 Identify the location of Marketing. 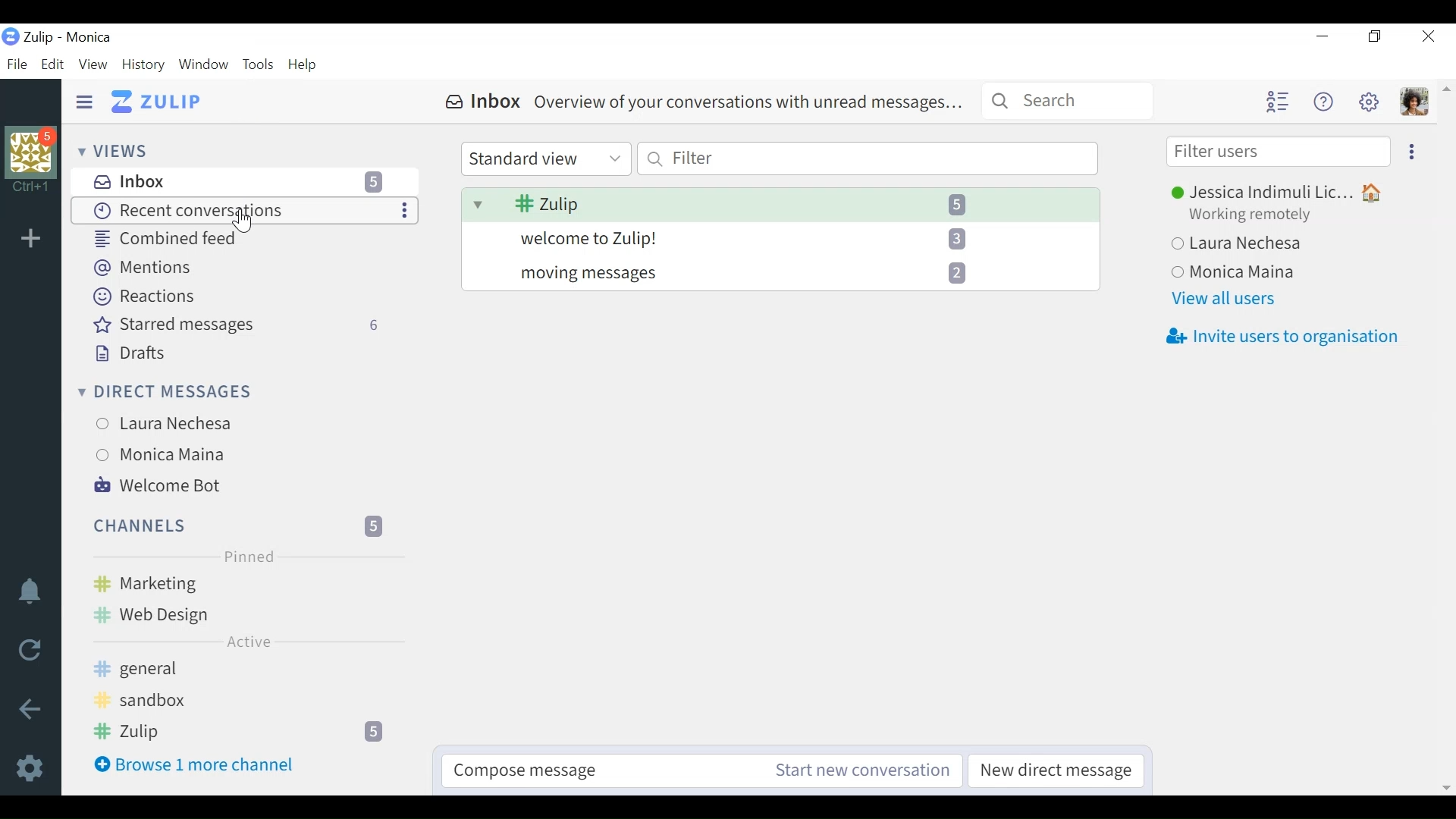
(239, 582).